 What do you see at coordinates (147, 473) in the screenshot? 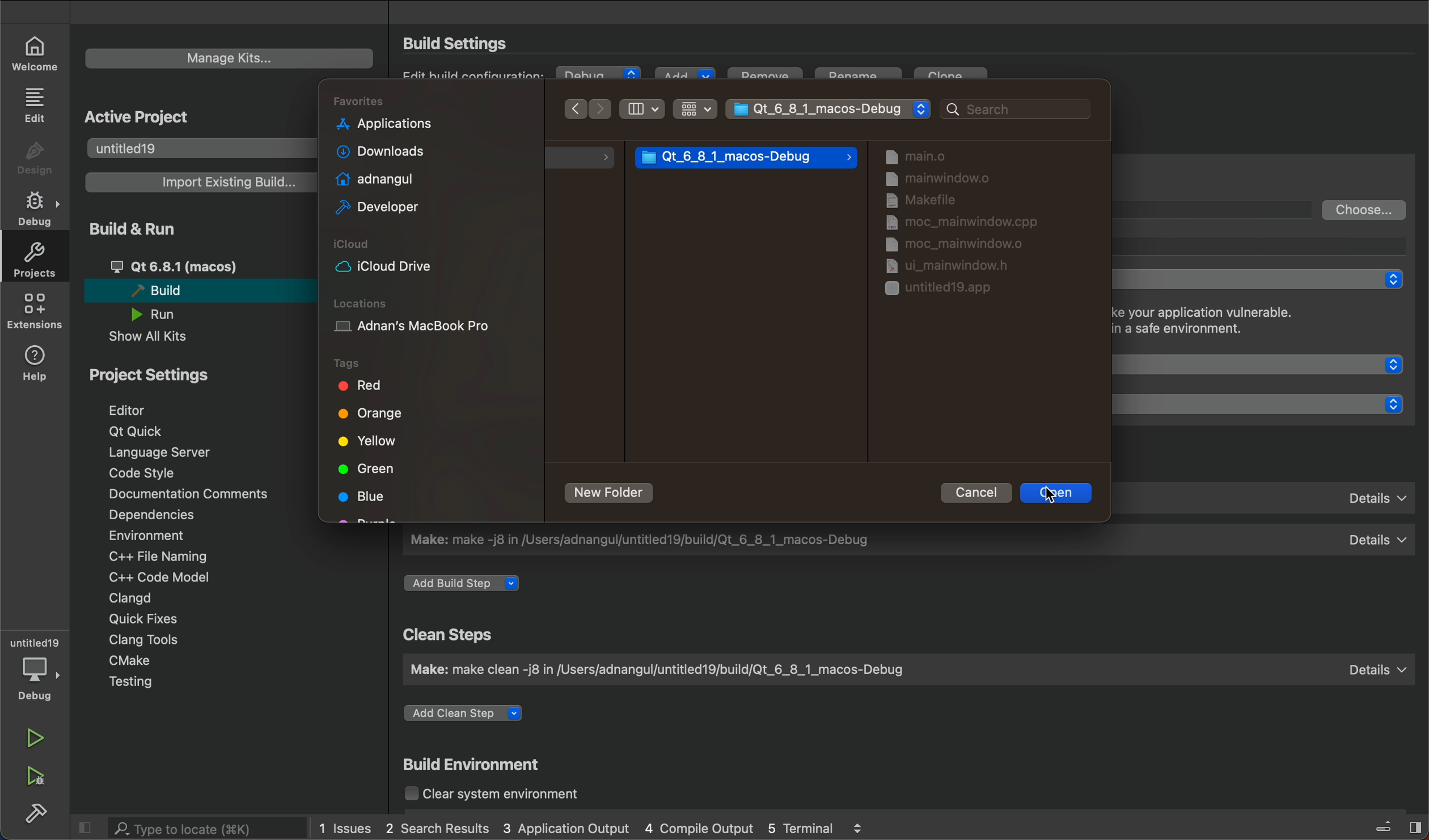
I see `code style` at bounding box center [147, 473].